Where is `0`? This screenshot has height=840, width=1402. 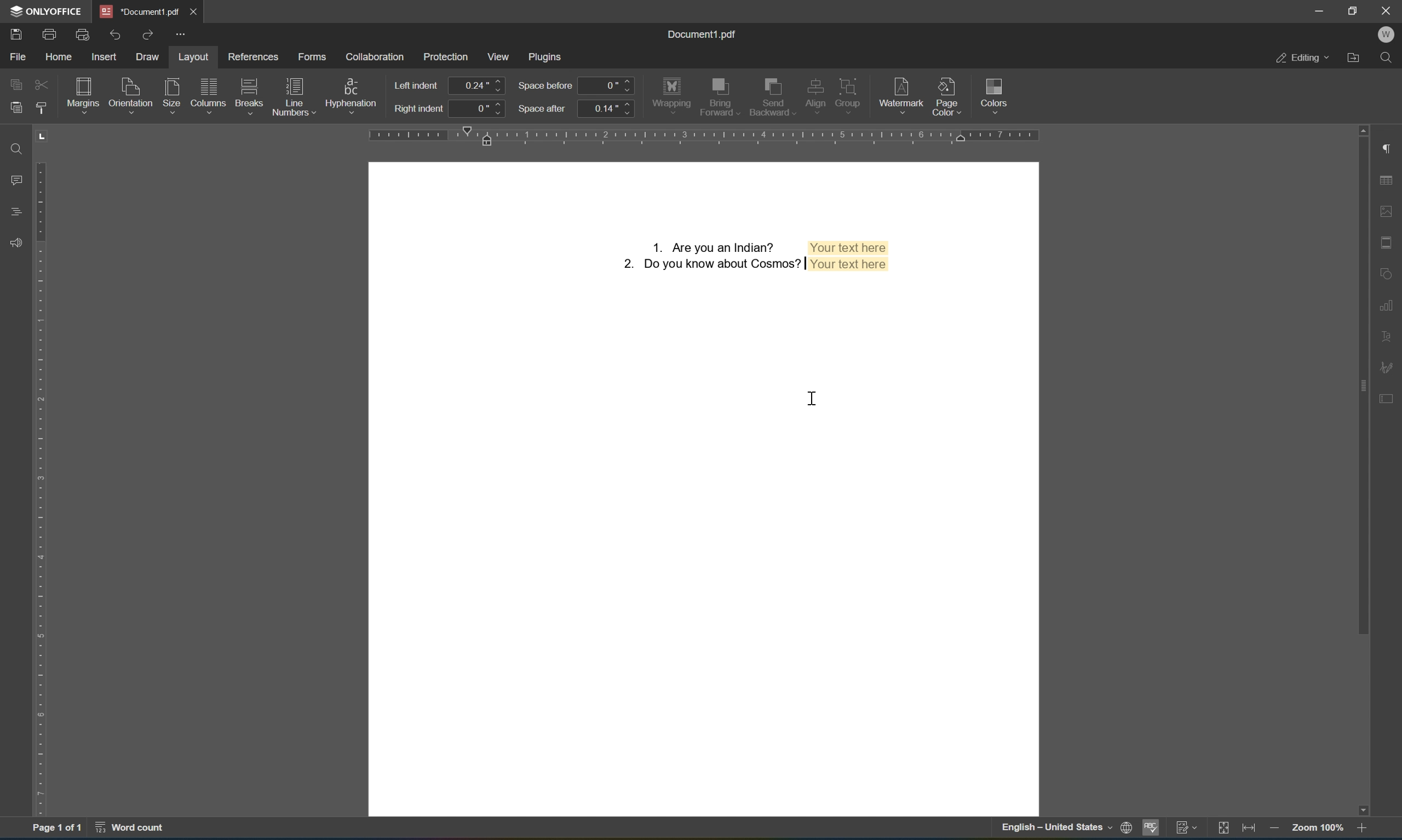 0 is located at coordinates (481, 110).